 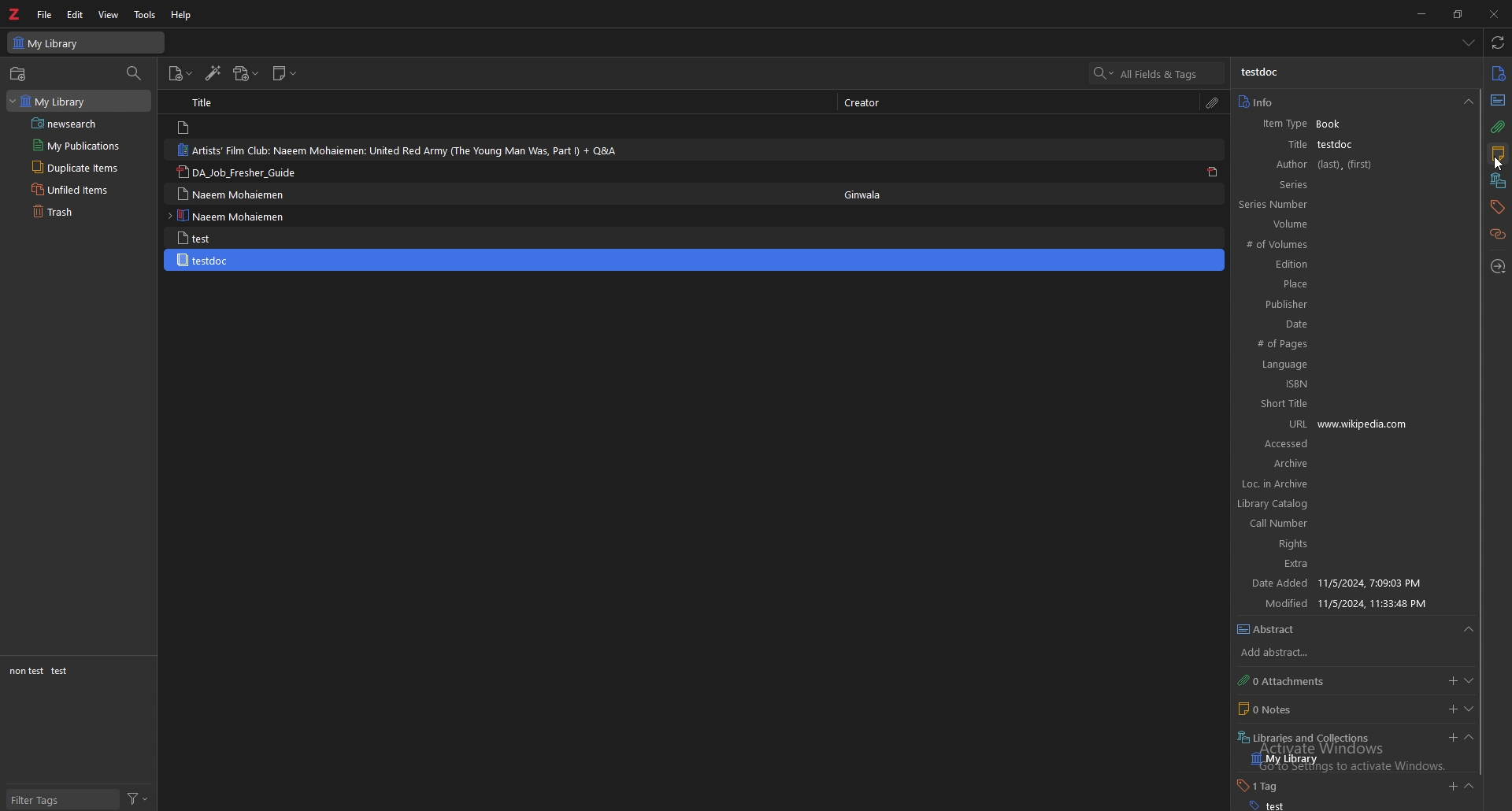 I want to click on file, so click(x=46, y=14).